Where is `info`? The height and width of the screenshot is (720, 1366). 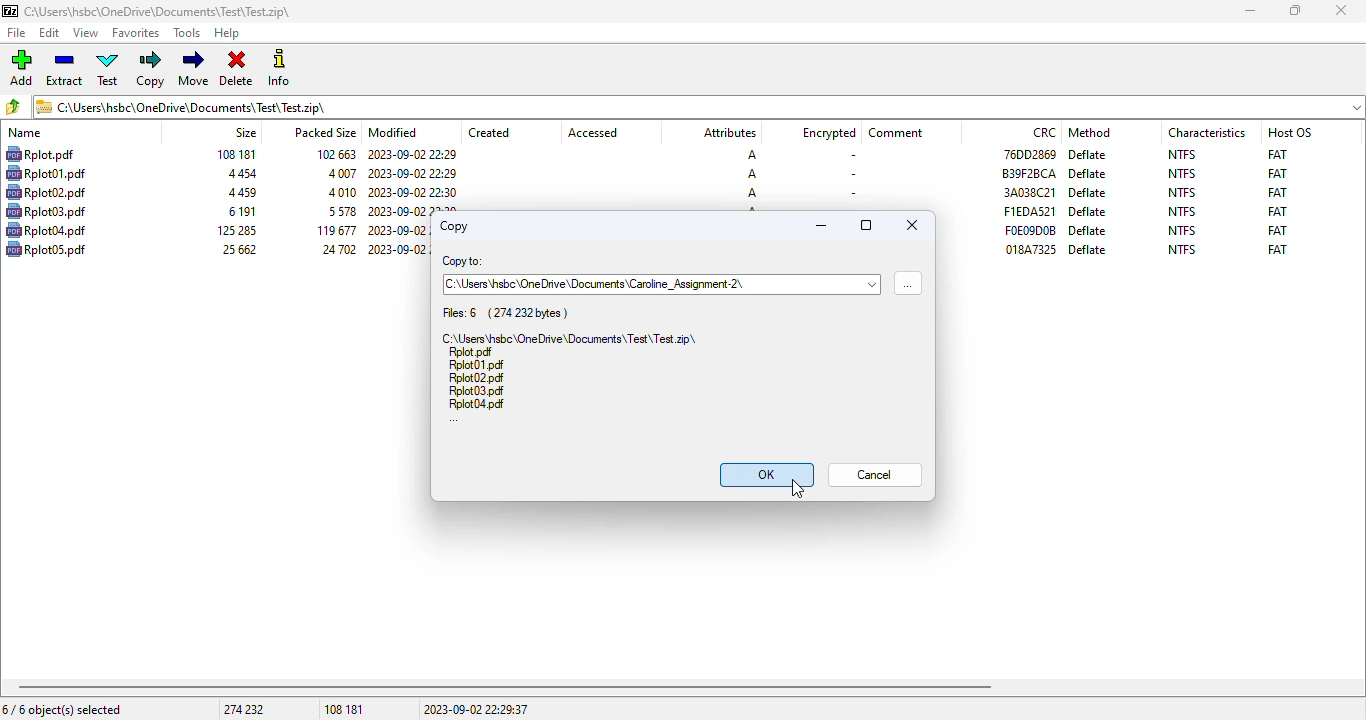
info is located at coordinates (279, 67).